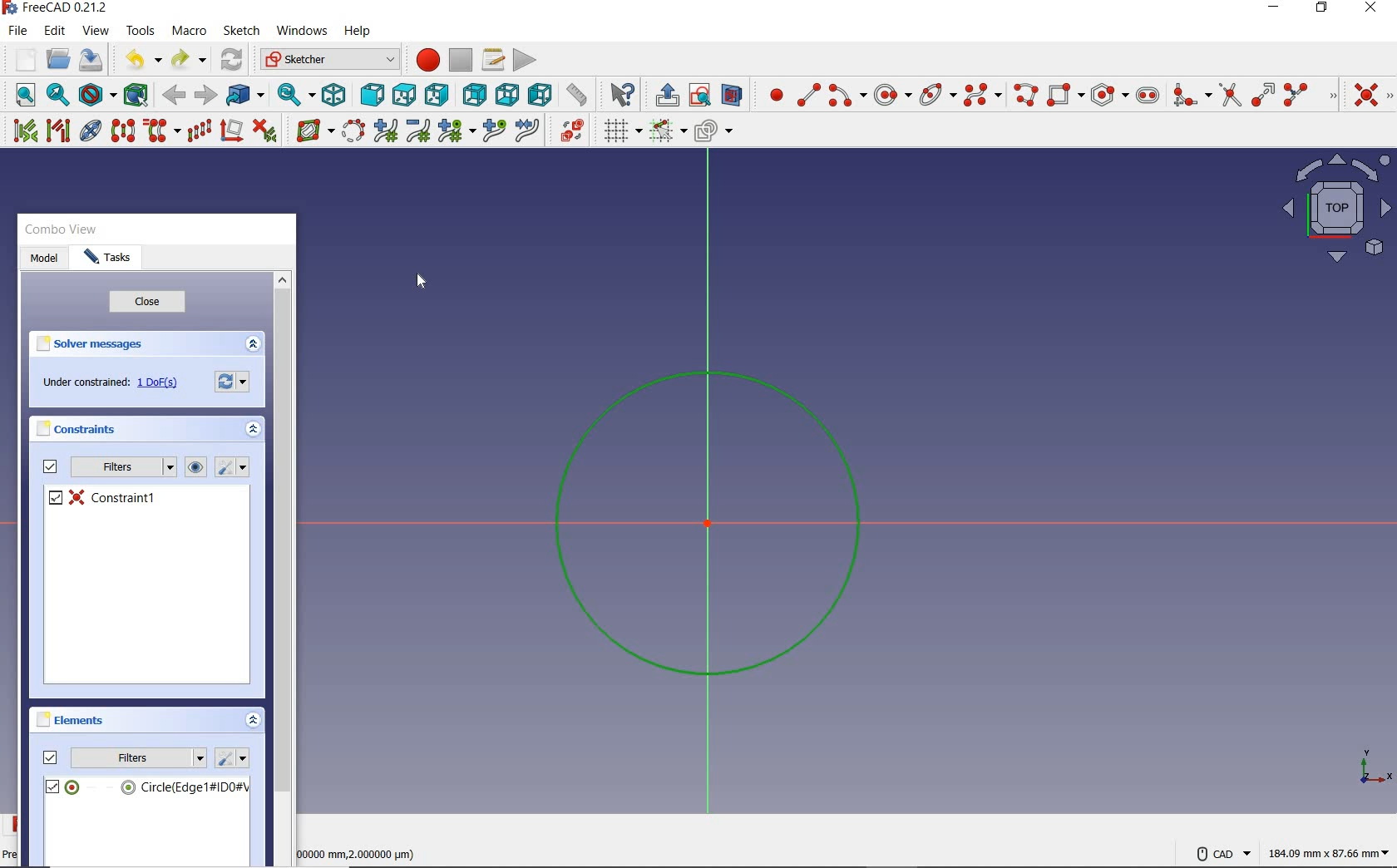  Describe the element at coordinates (435, 95) in the screenshot. I see `right` at that location.